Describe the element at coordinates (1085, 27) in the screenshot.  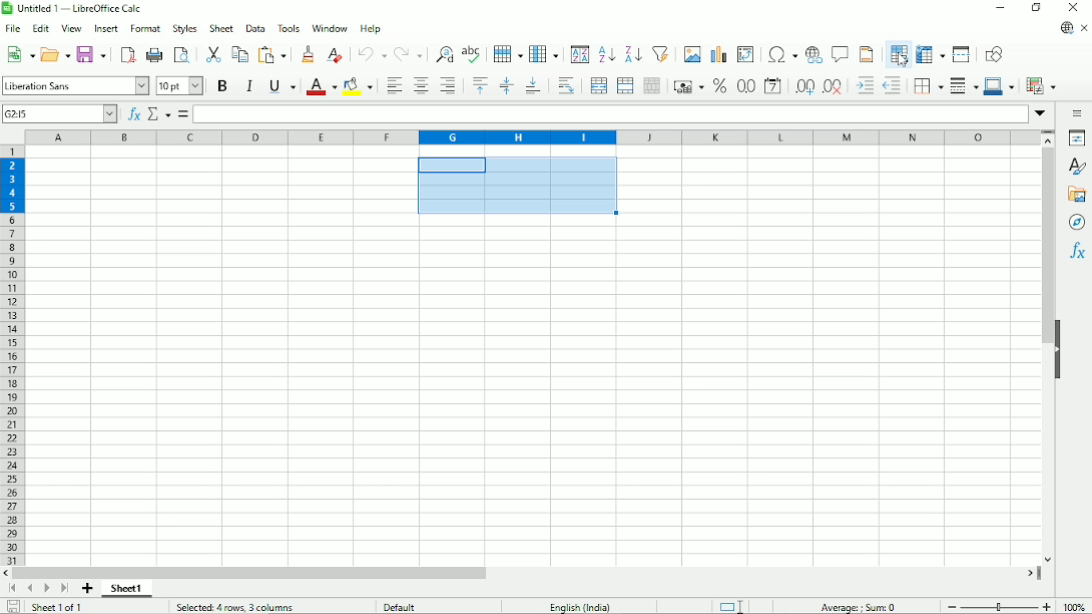
I see `Close document` at that location.